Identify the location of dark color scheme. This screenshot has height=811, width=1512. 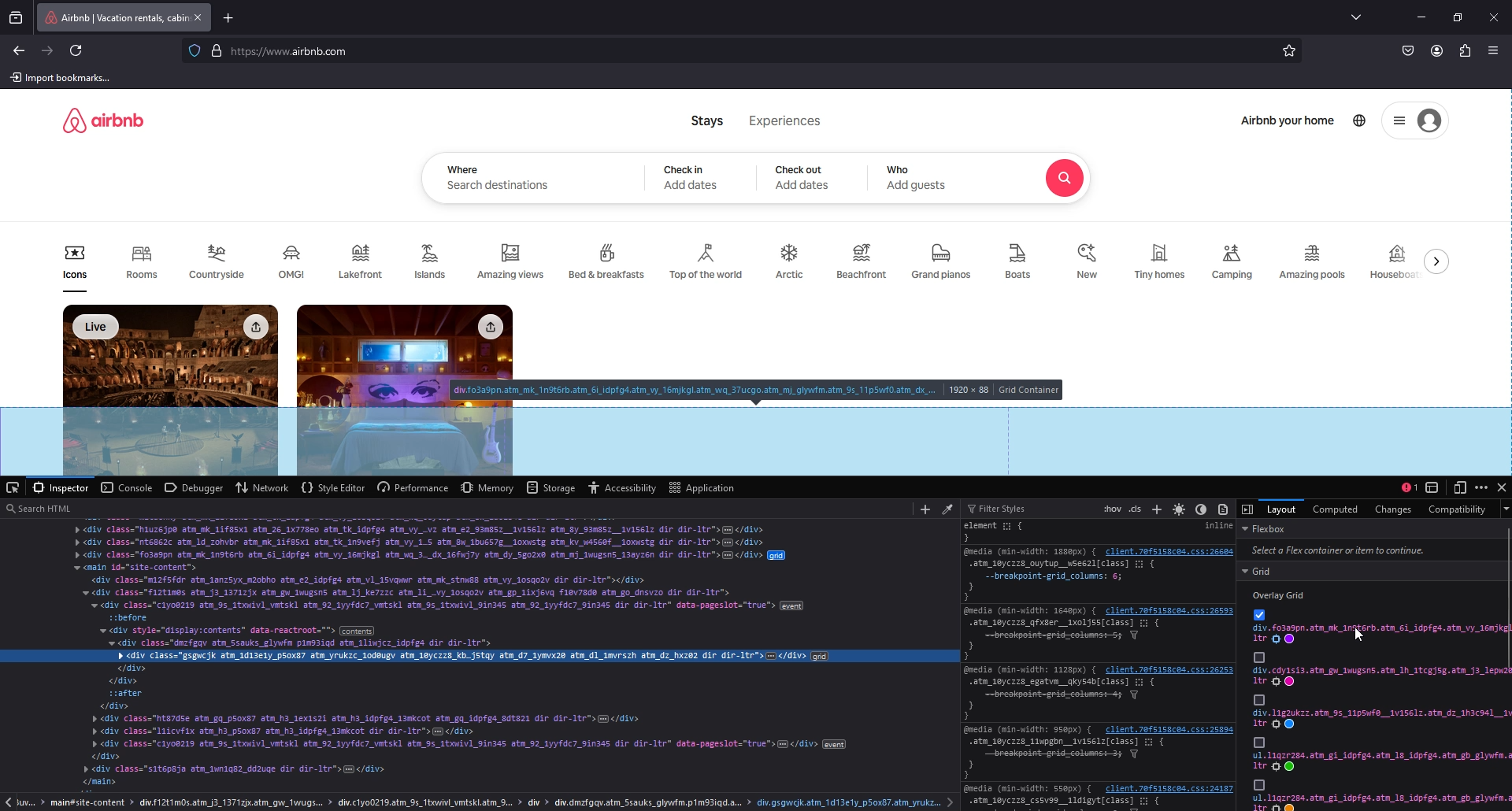
(1201, 509).